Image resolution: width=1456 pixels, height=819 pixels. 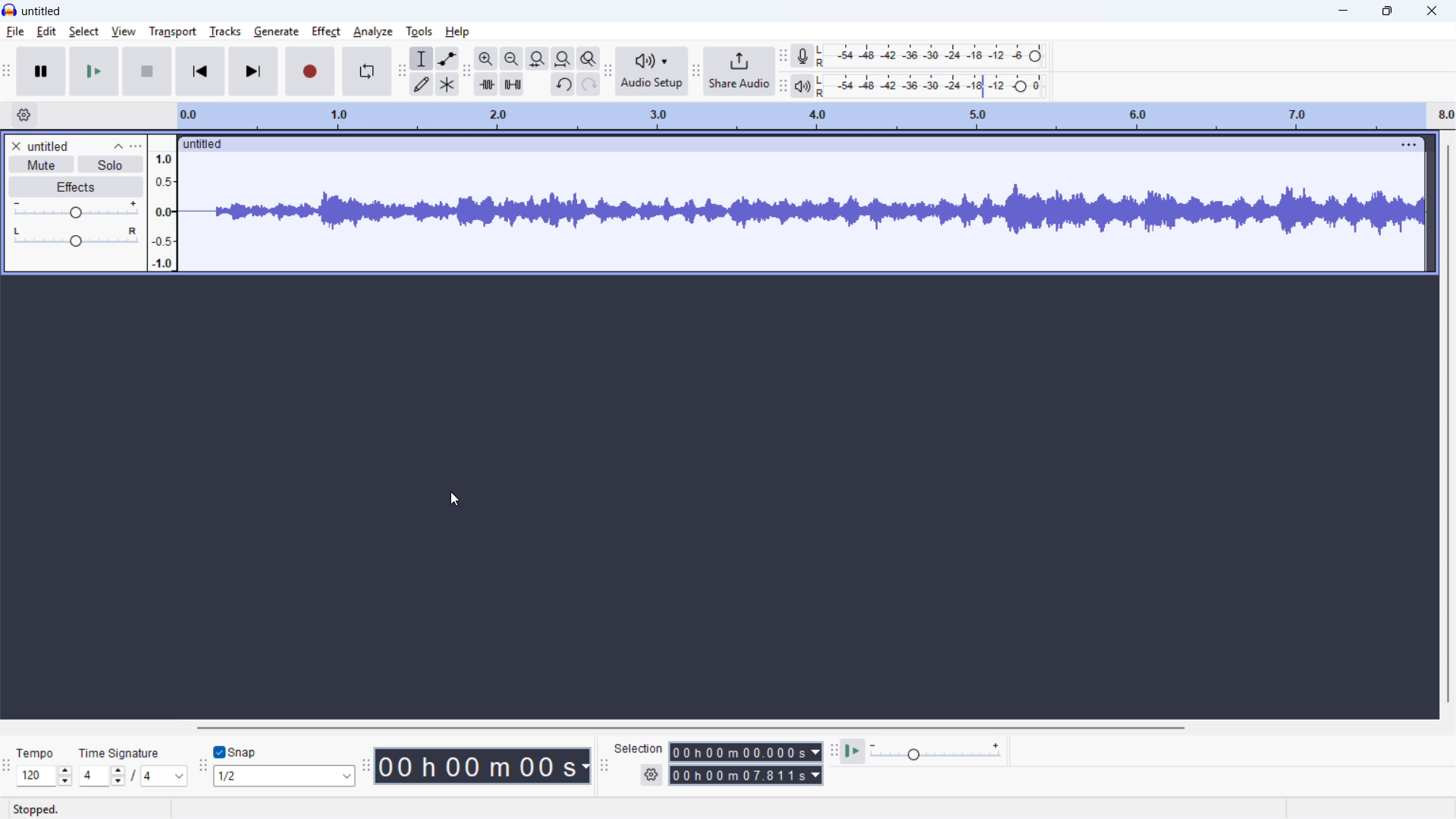 What do you see at coordinates (118, 146) in the screenshot?
I see `collapse` at bounding box center [118, 146].